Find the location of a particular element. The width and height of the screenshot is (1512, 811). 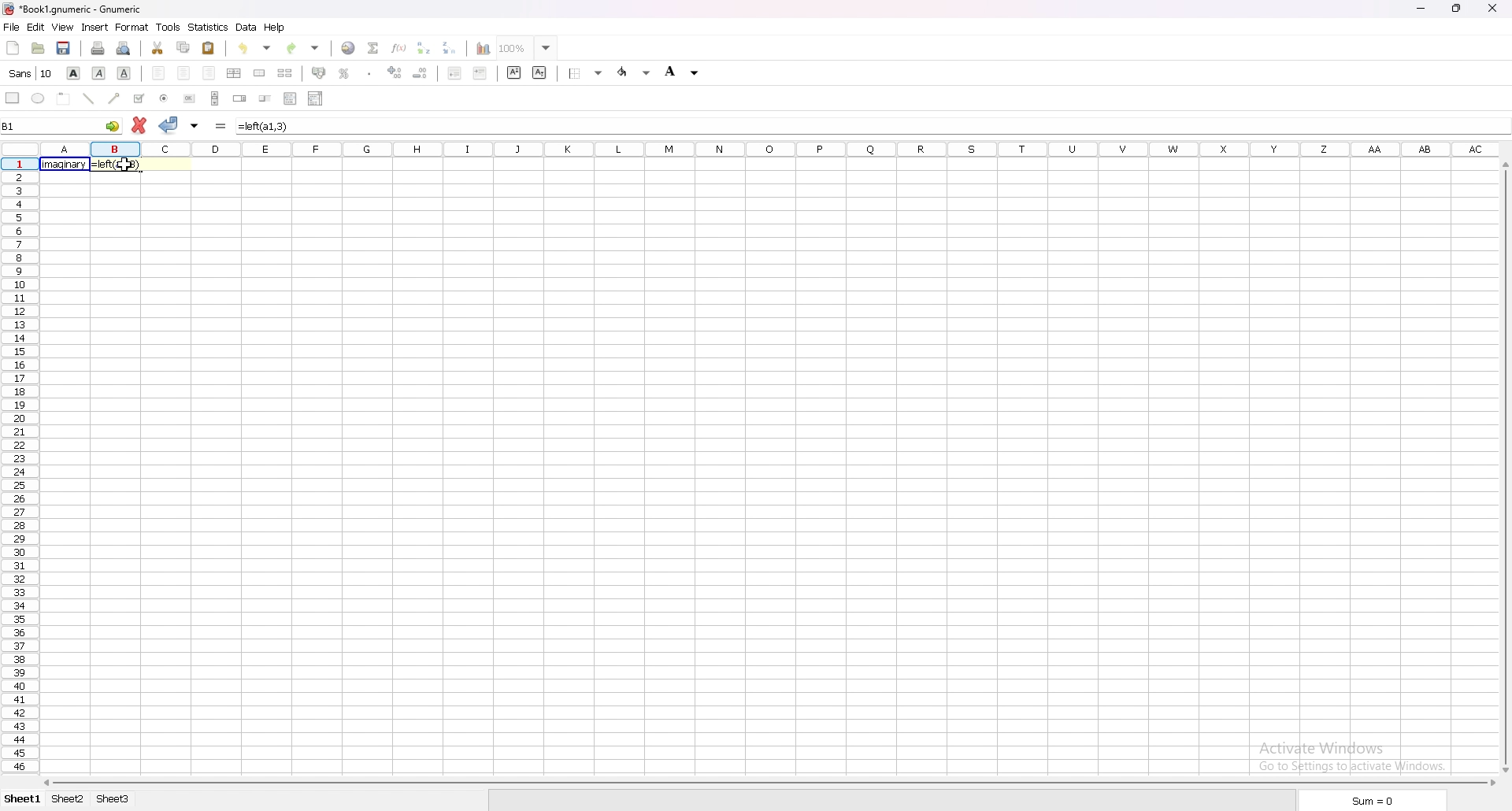

scroll bar is located at coordinates (1503, 468).